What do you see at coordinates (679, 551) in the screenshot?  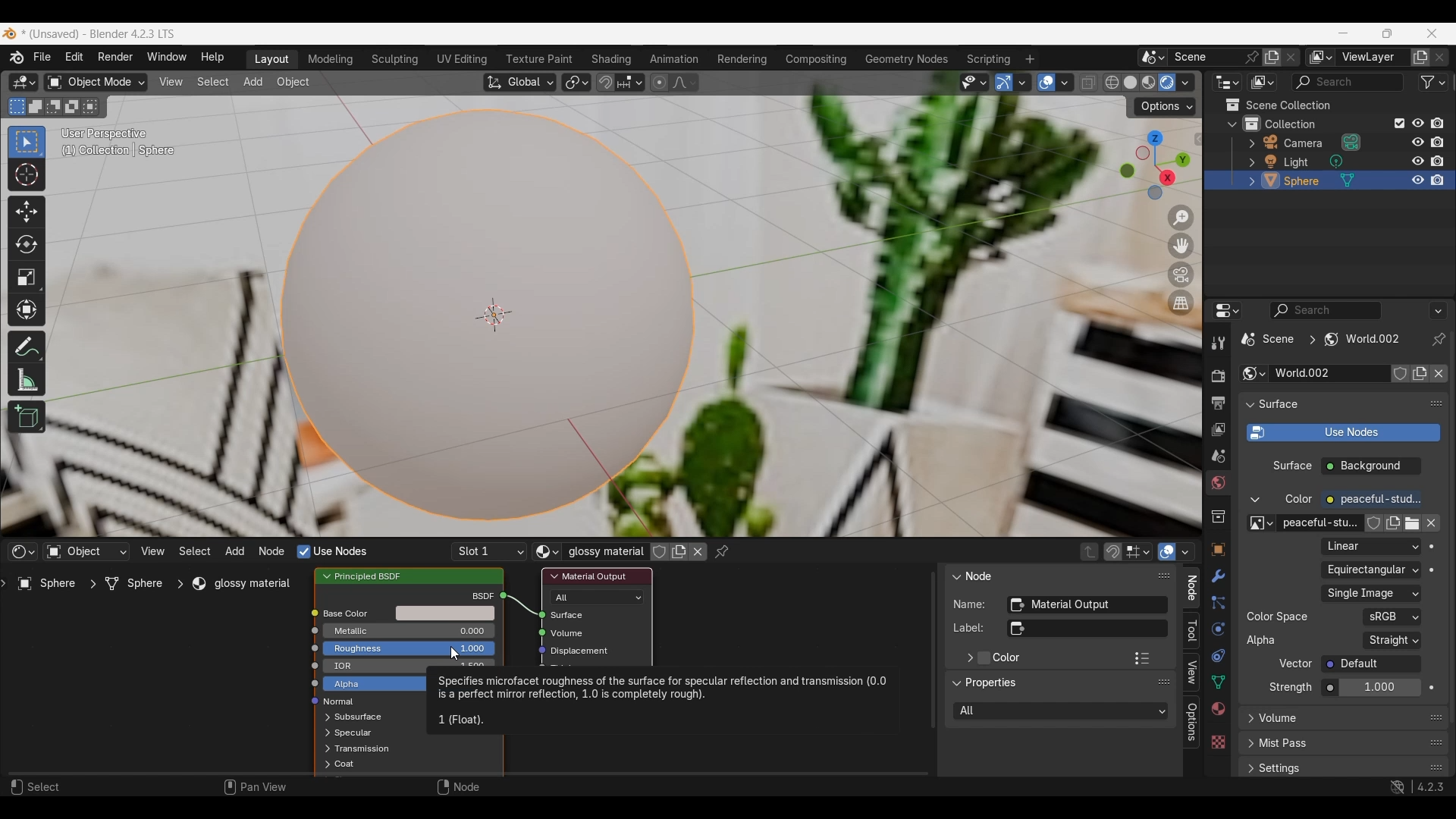 I see `Add new material` at bounding box center [679, 551].